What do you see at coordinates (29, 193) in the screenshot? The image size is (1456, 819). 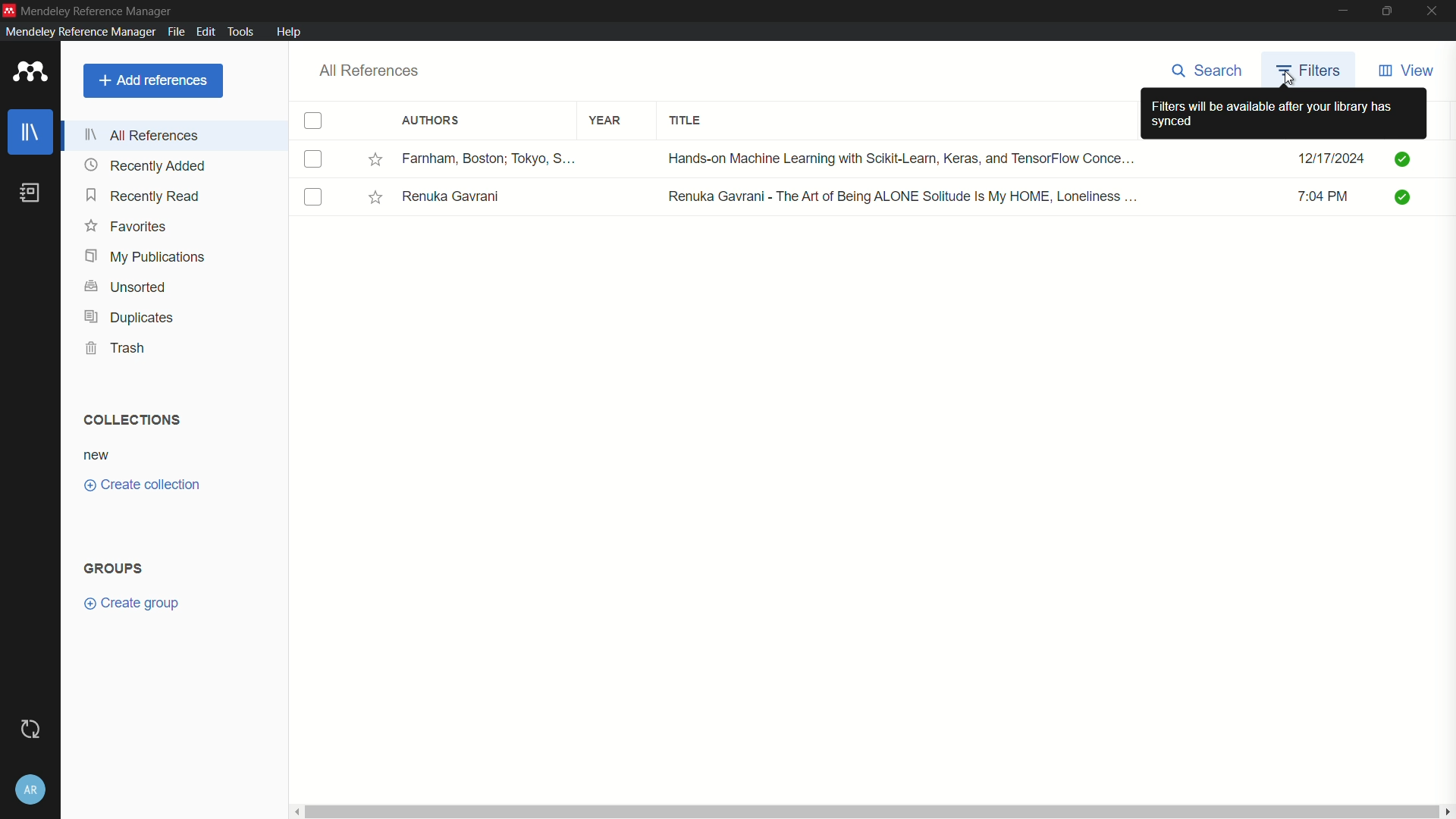 I see `book` at bounding box center [29, 193].